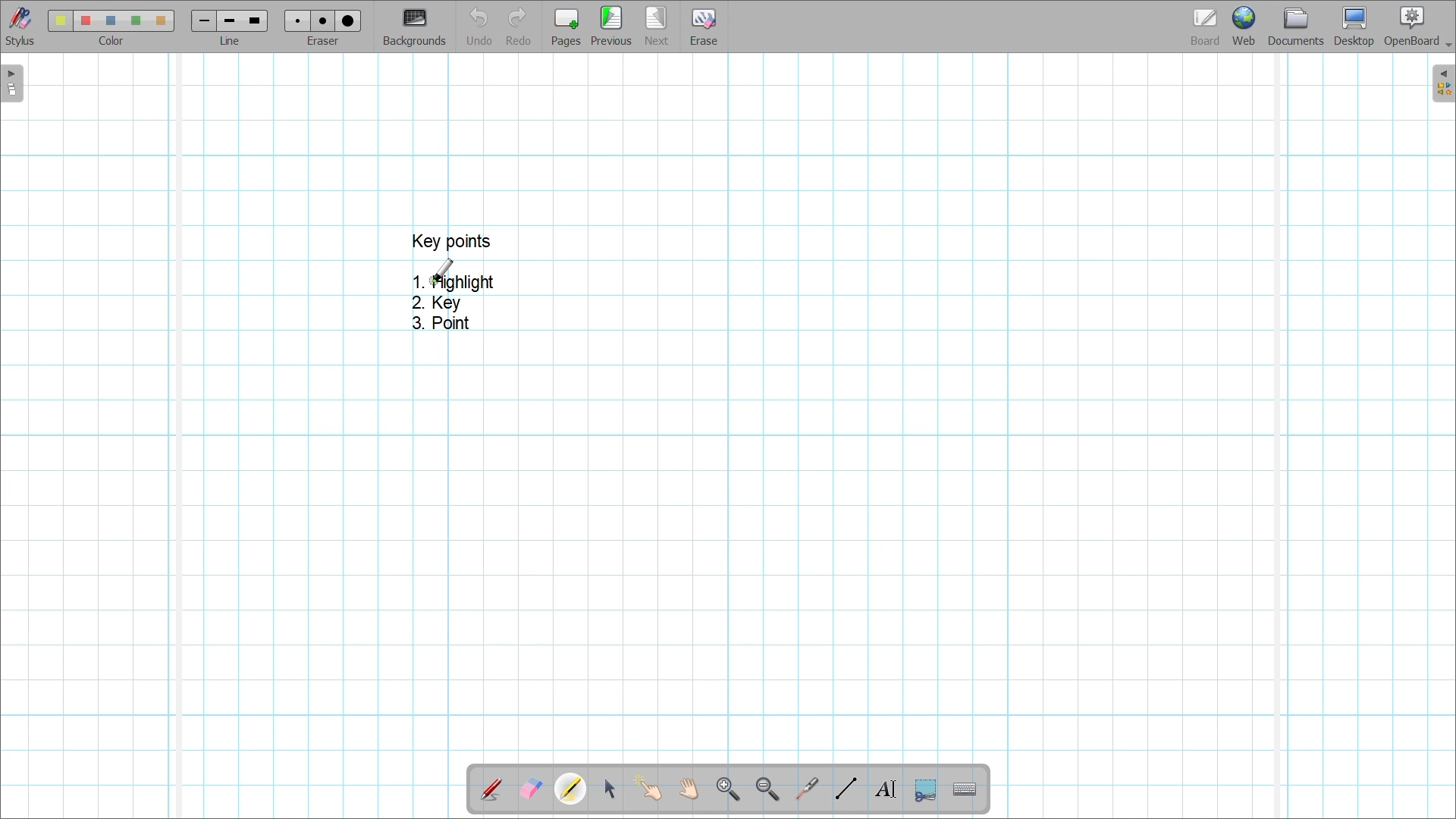 The image size is (1456, 819). What do you see at coordinates (349, 20) in the screenshot?
I see `eraser 3` at bounding box center [349, 20].